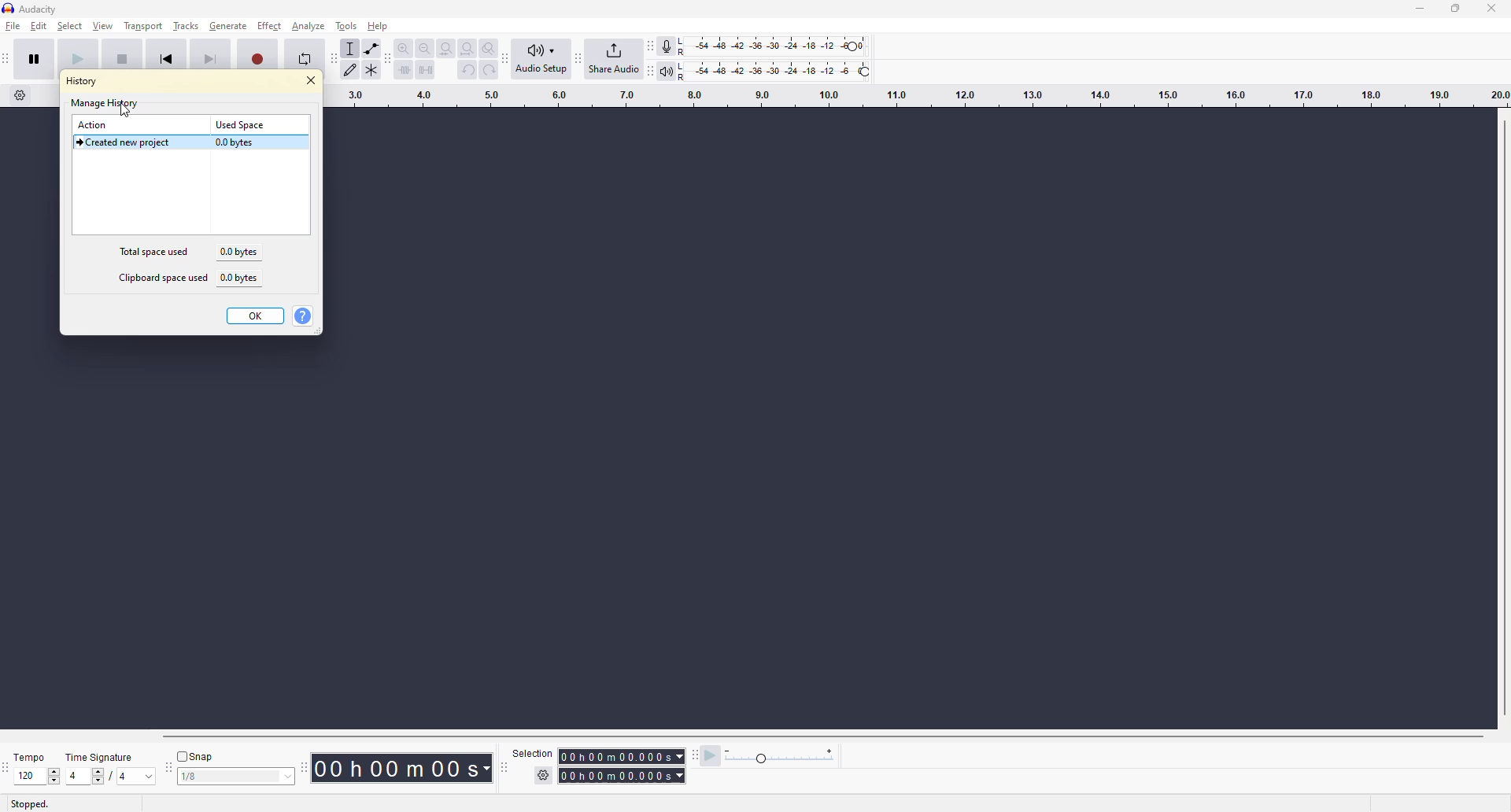 The image size is (1511, 812). What do you see at coordinates (545, 775) in the screenshot?
I see `settings` at bounding box center [545, 775].